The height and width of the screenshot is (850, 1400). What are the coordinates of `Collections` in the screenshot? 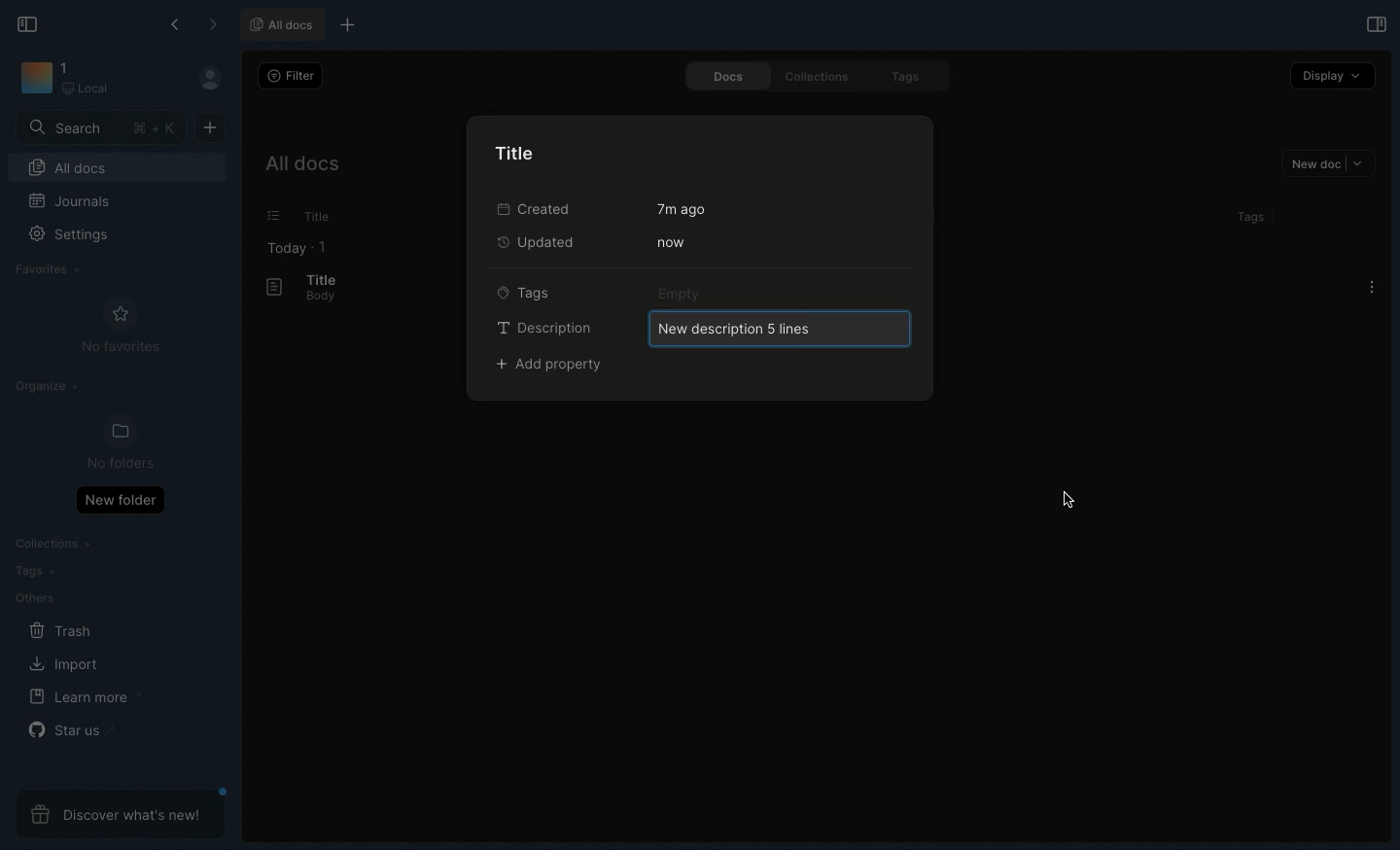 It's located at (55, 546).